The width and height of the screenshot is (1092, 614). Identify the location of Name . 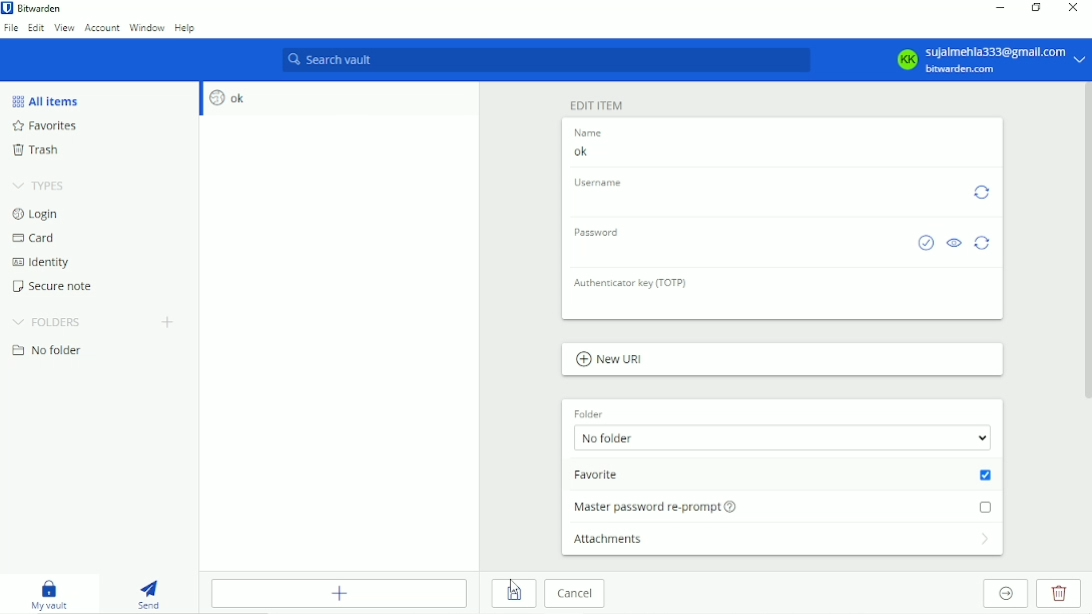
(592, 133).